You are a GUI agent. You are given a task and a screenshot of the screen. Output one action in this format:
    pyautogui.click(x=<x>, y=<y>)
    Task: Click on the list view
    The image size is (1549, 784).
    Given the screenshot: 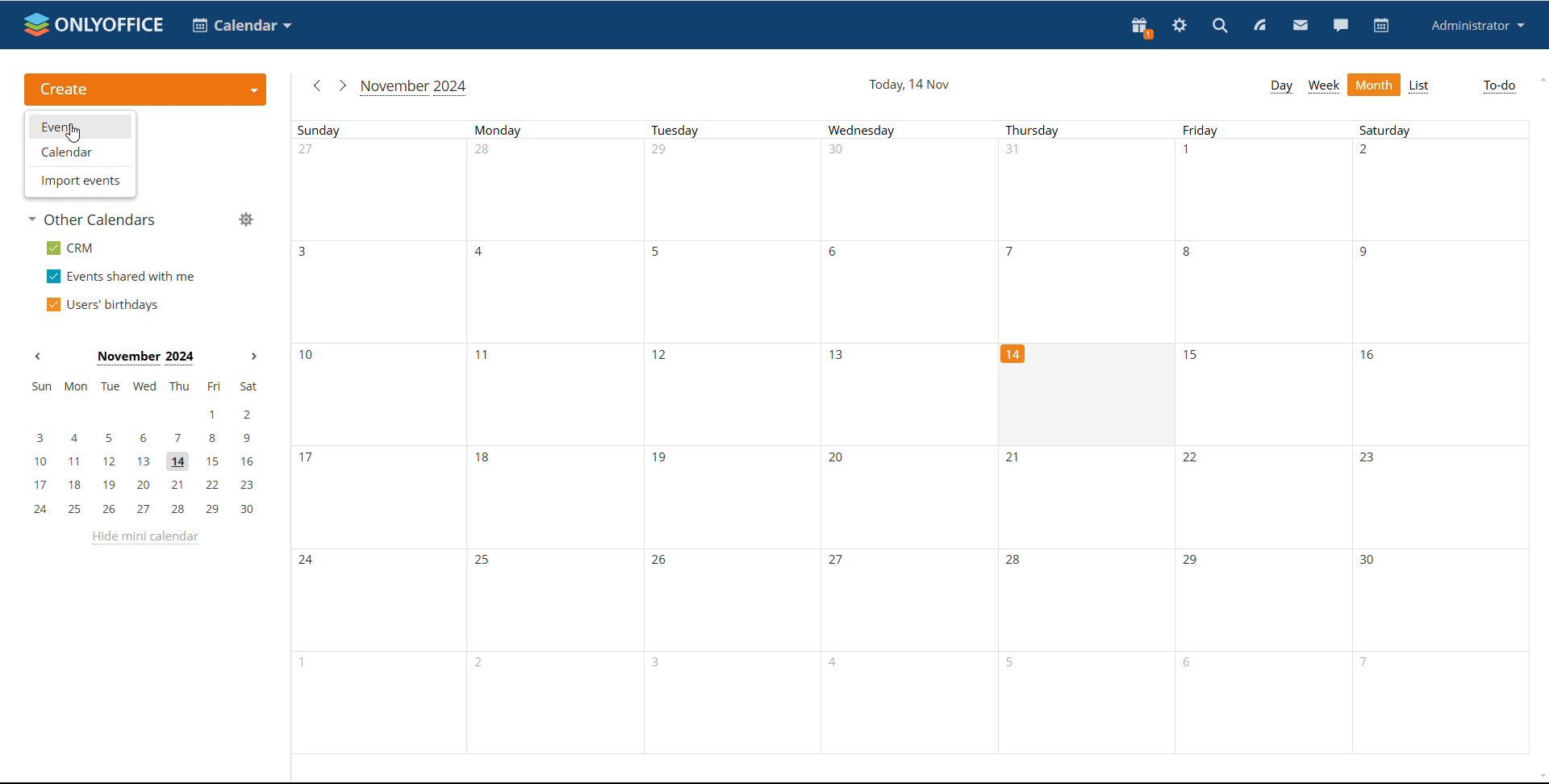 What is the action you would take?
    pyautogui.click(x=1418, y=86)
    